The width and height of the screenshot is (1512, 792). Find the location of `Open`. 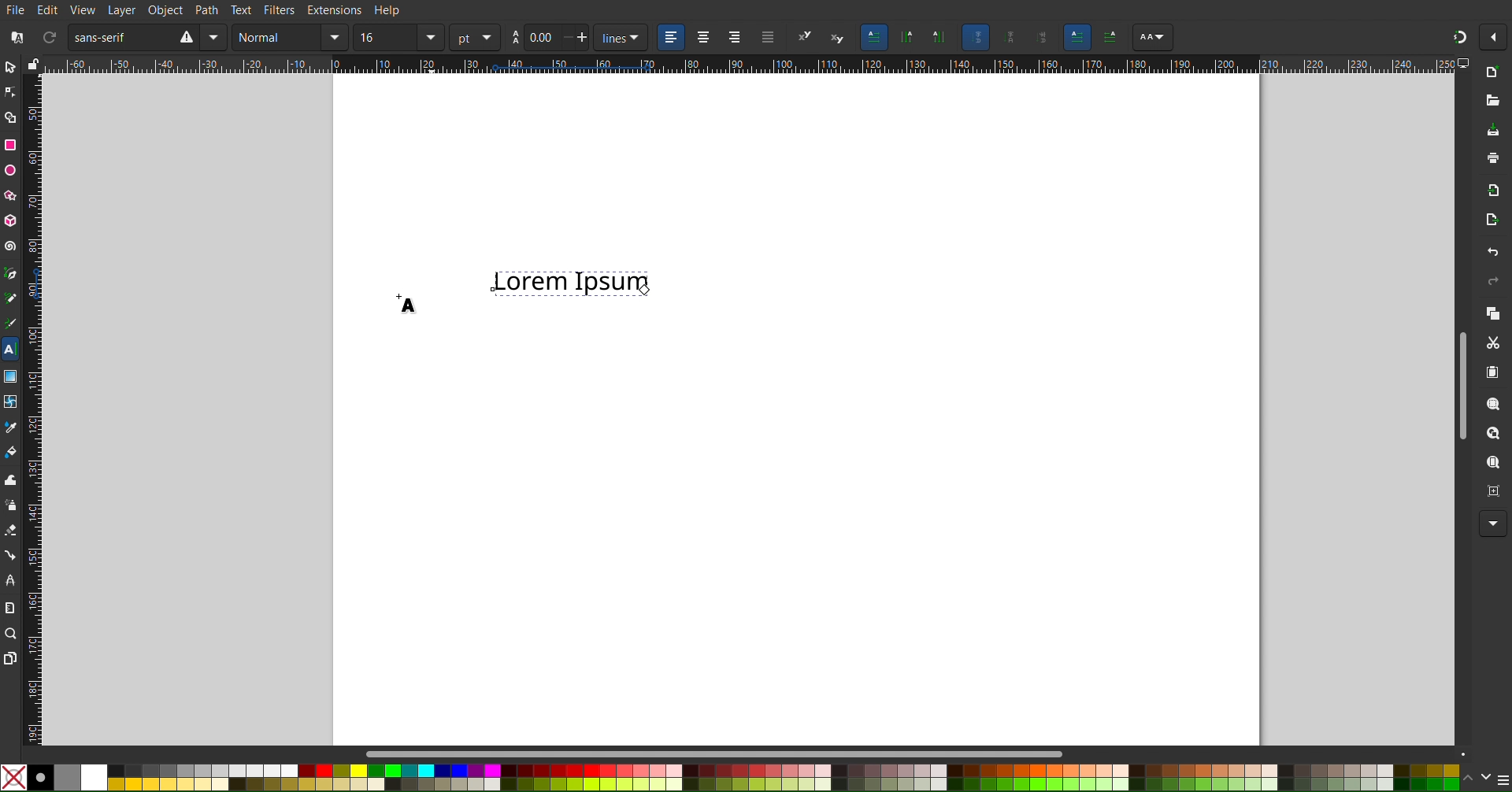

Open is located at coordinates (1492, 105).